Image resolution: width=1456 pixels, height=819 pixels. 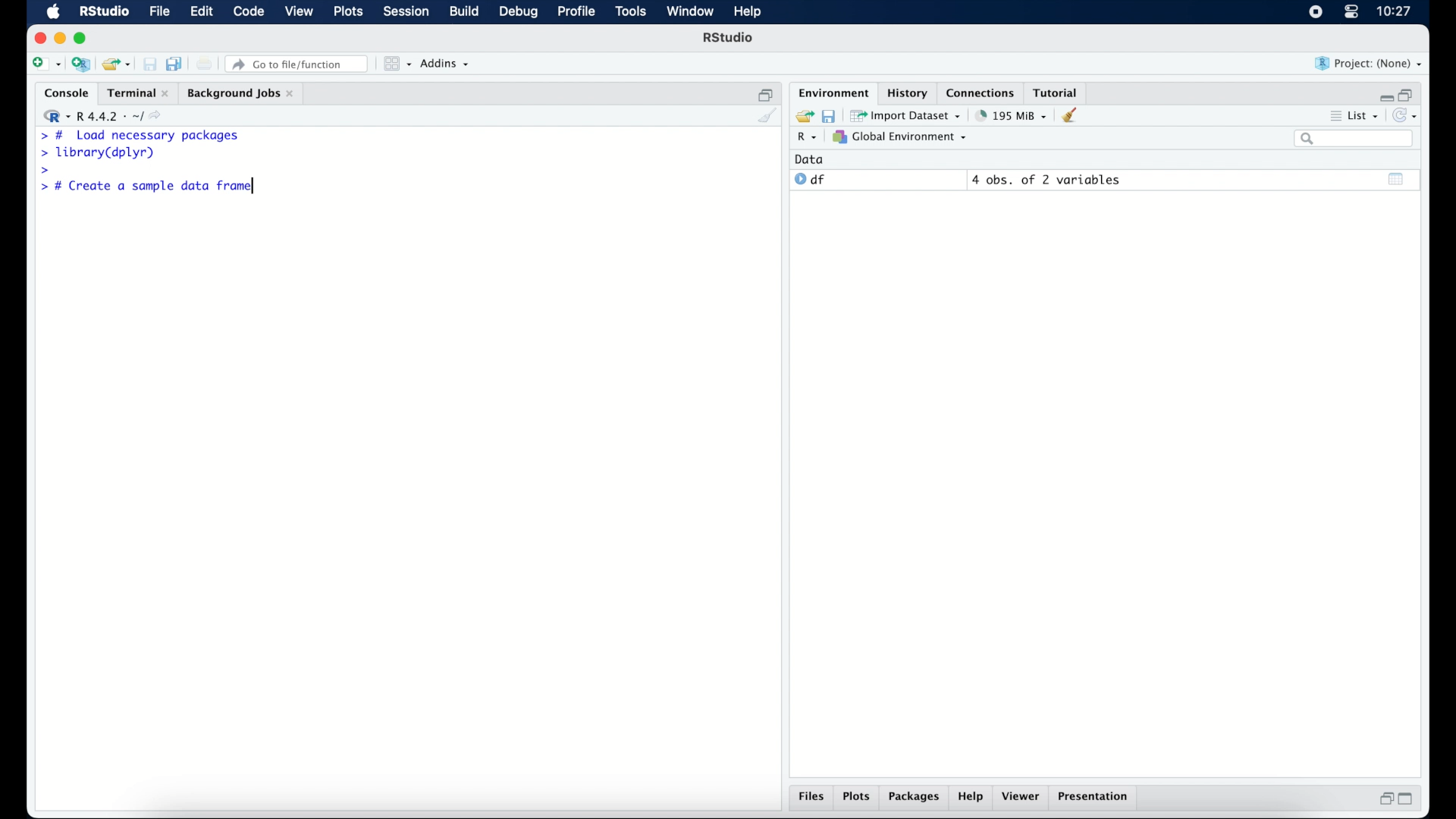 What do you see at coordinates (60, 38) in the screenshot?
I see `minimize` at bounding box center [60, 38].